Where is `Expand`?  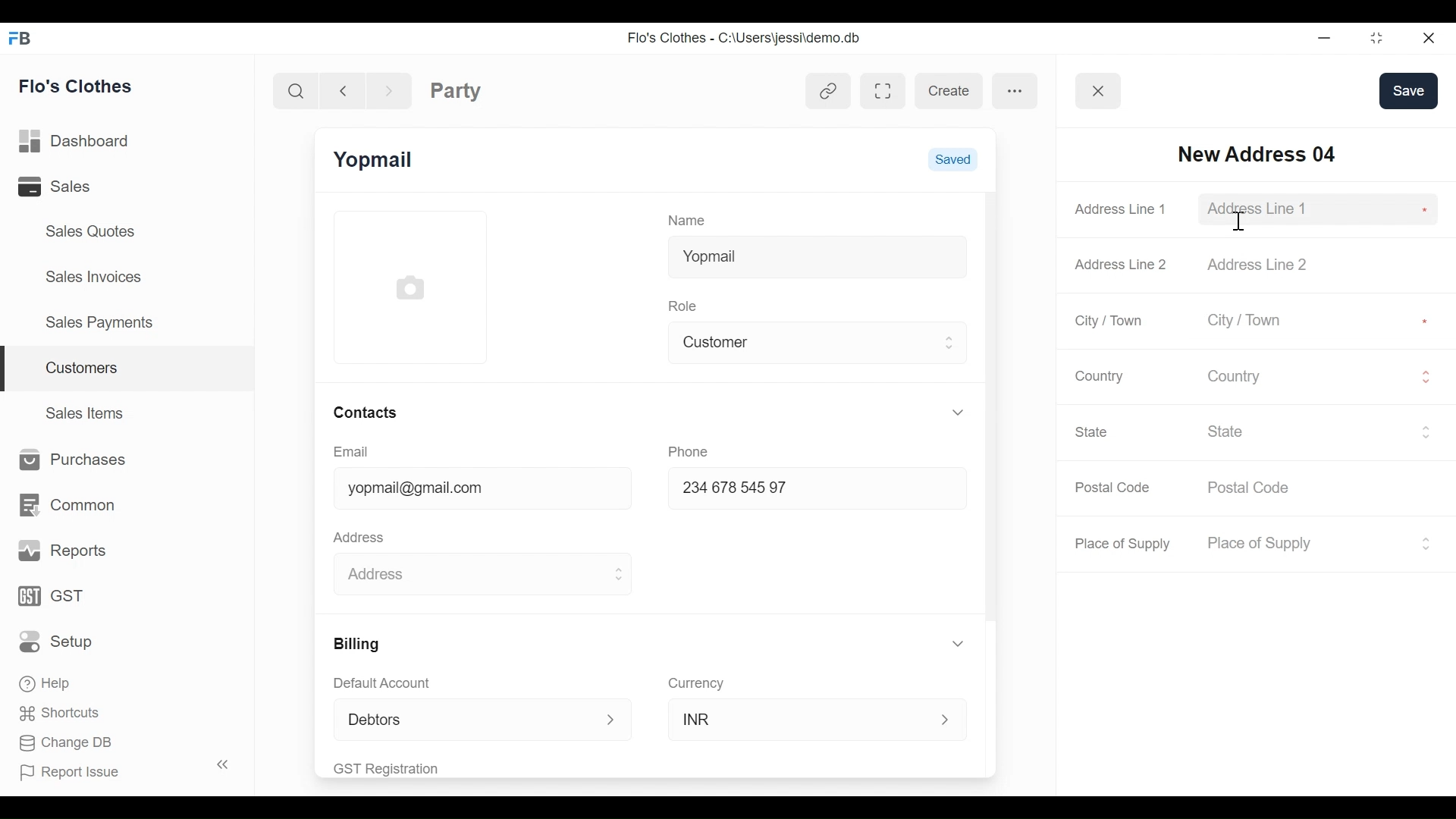 Expand is located at coordinates (1426, 431).